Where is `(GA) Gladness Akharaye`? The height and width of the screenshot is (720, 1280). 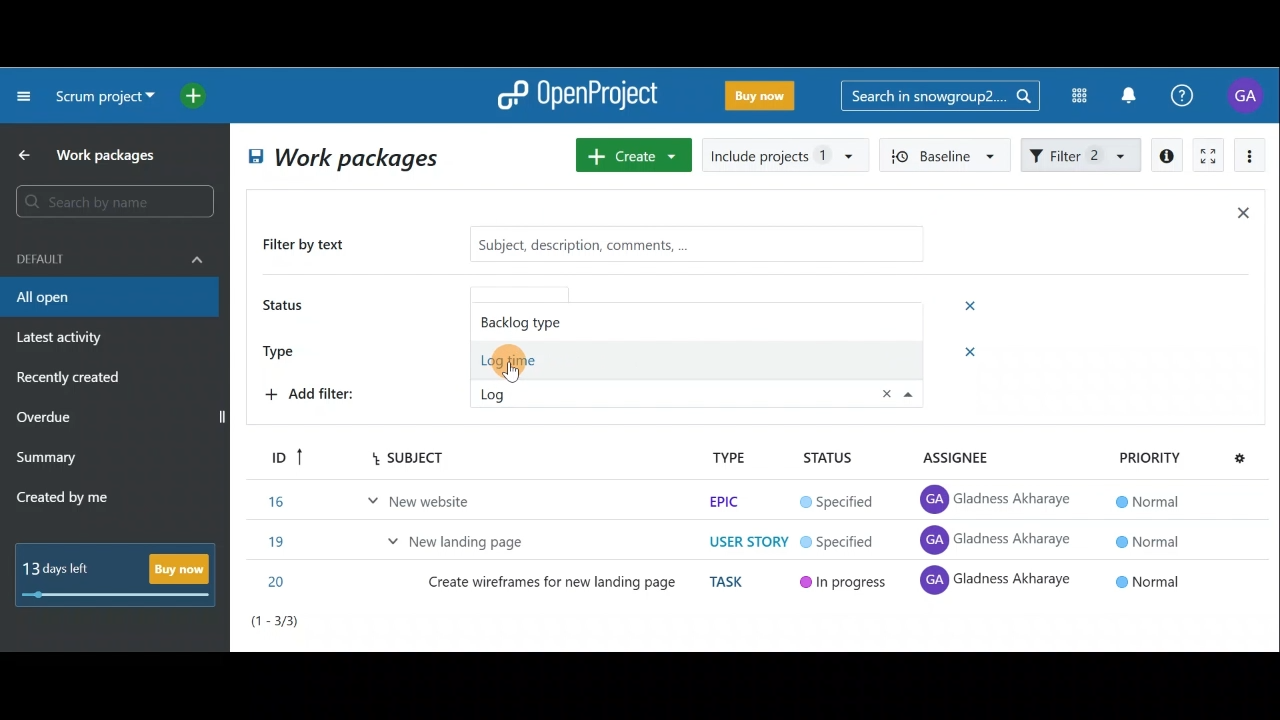
(GA) Gladness Akharaye is located at coordinates (997, 584).